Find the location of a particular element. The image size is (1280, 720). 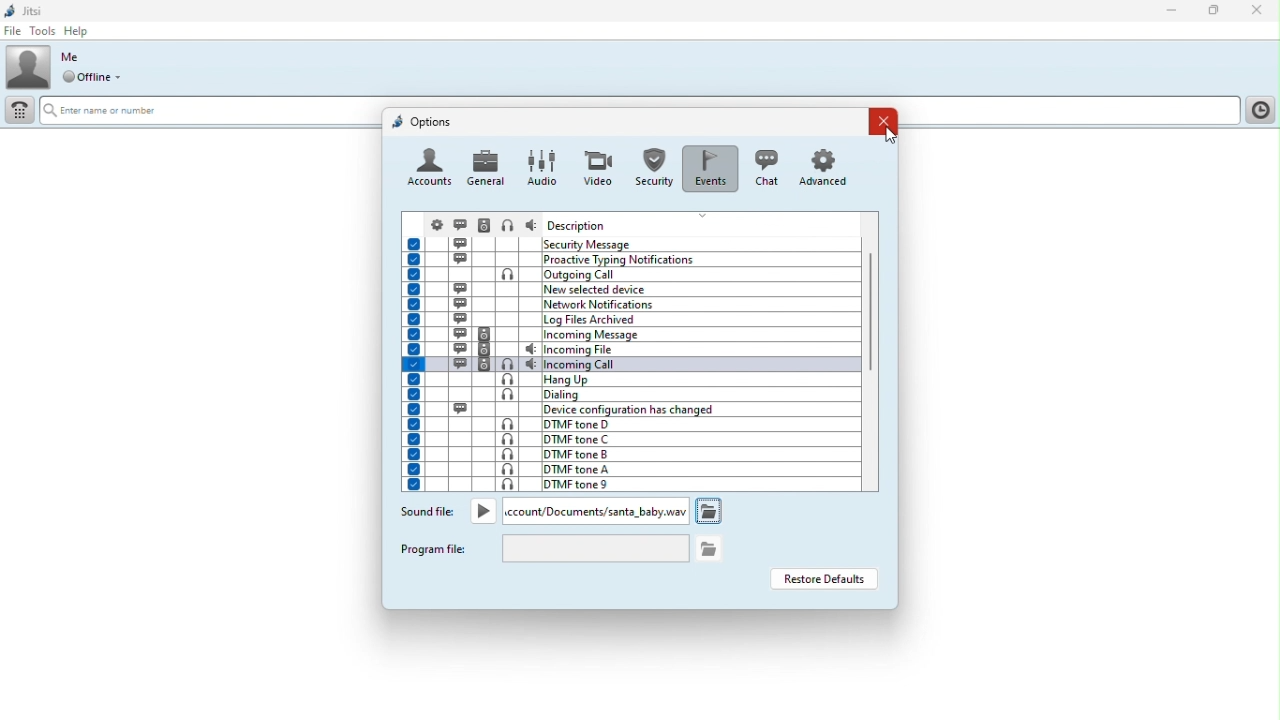

DTMF tone 9 is located at coordinates (626, 484).